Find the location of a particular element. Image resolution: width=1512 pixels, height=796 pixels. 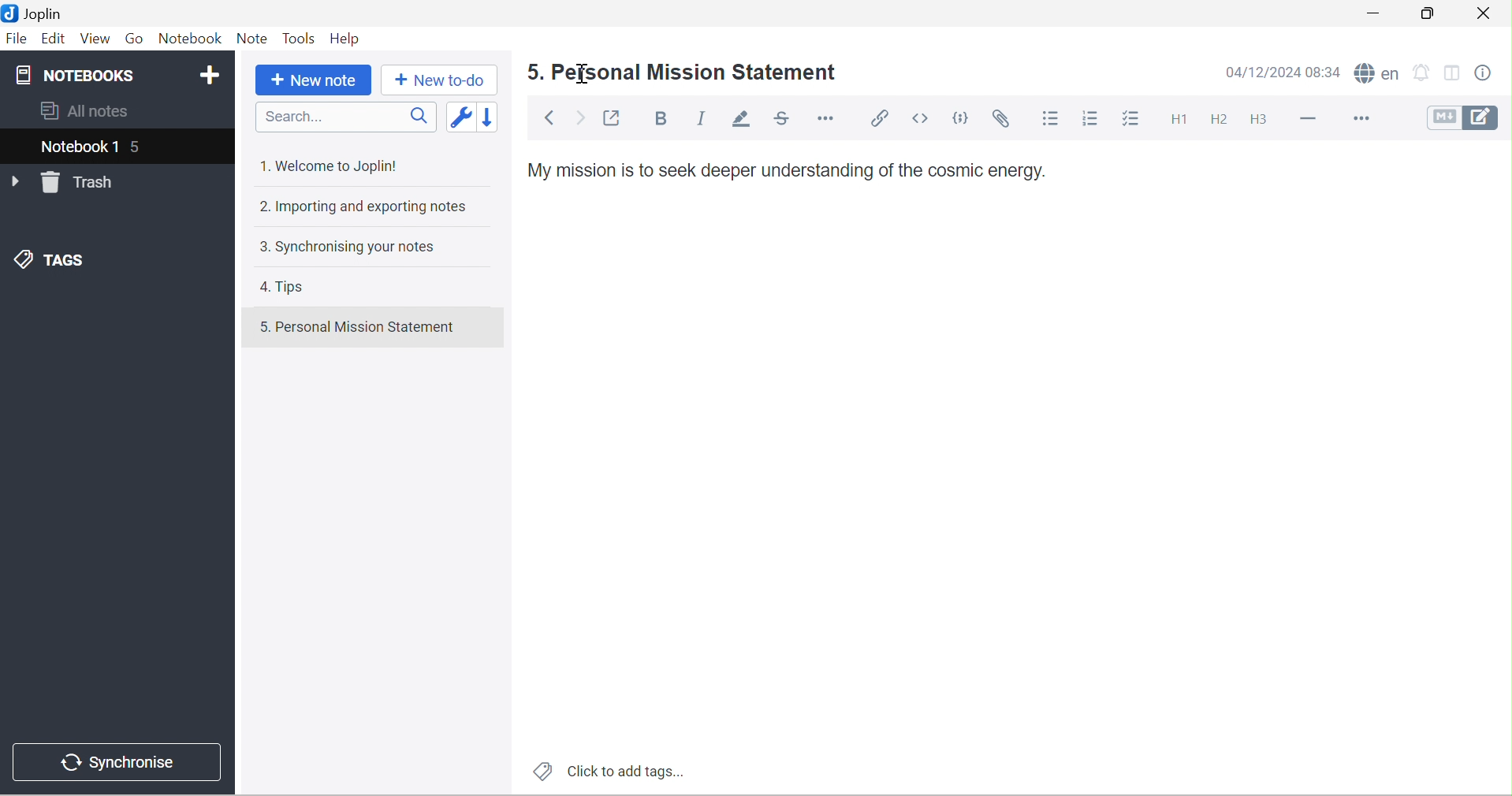

Edit is located at coordinates (54, 39).